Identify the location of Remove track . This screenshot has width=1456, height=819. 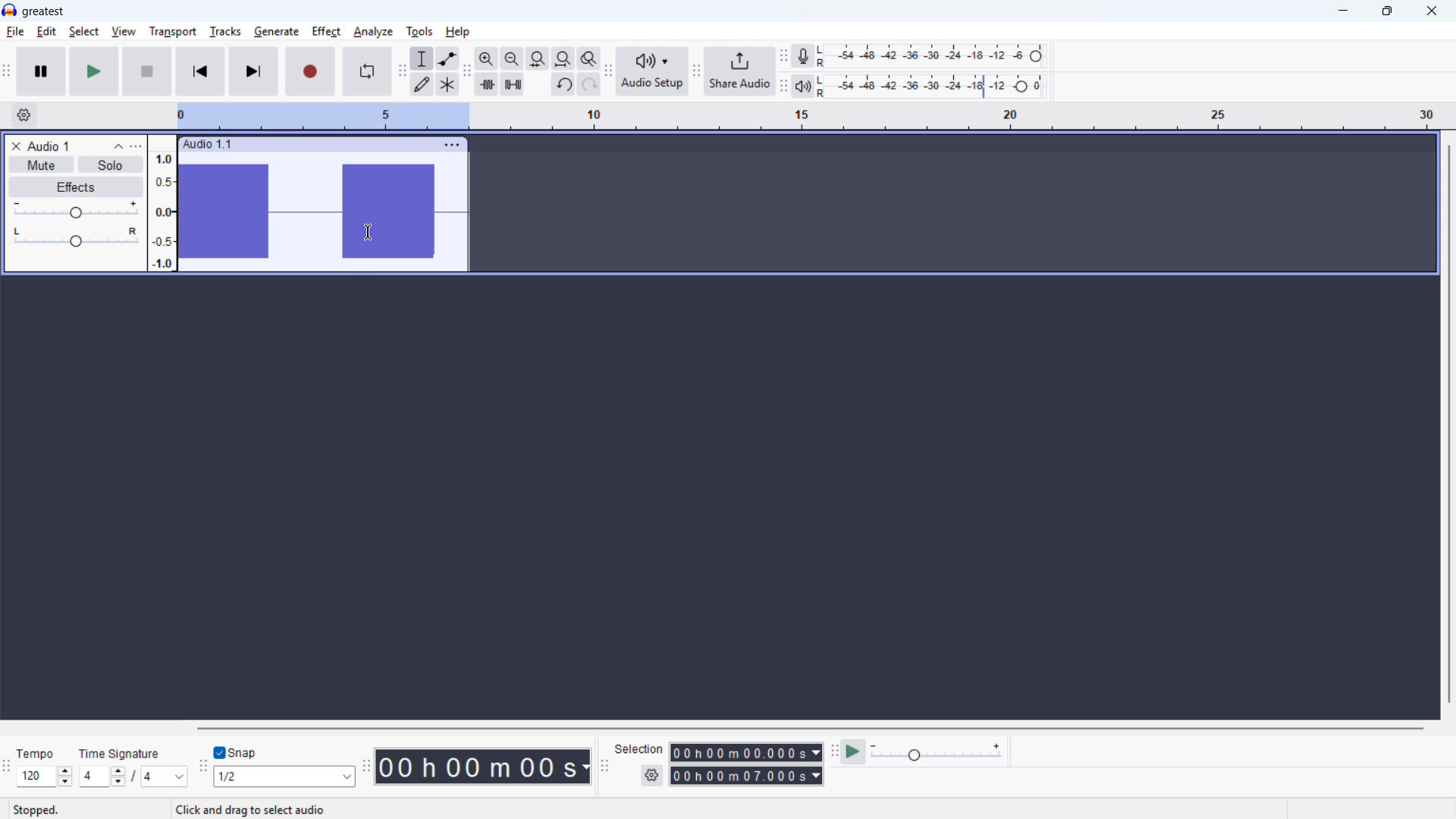
(17, 146).